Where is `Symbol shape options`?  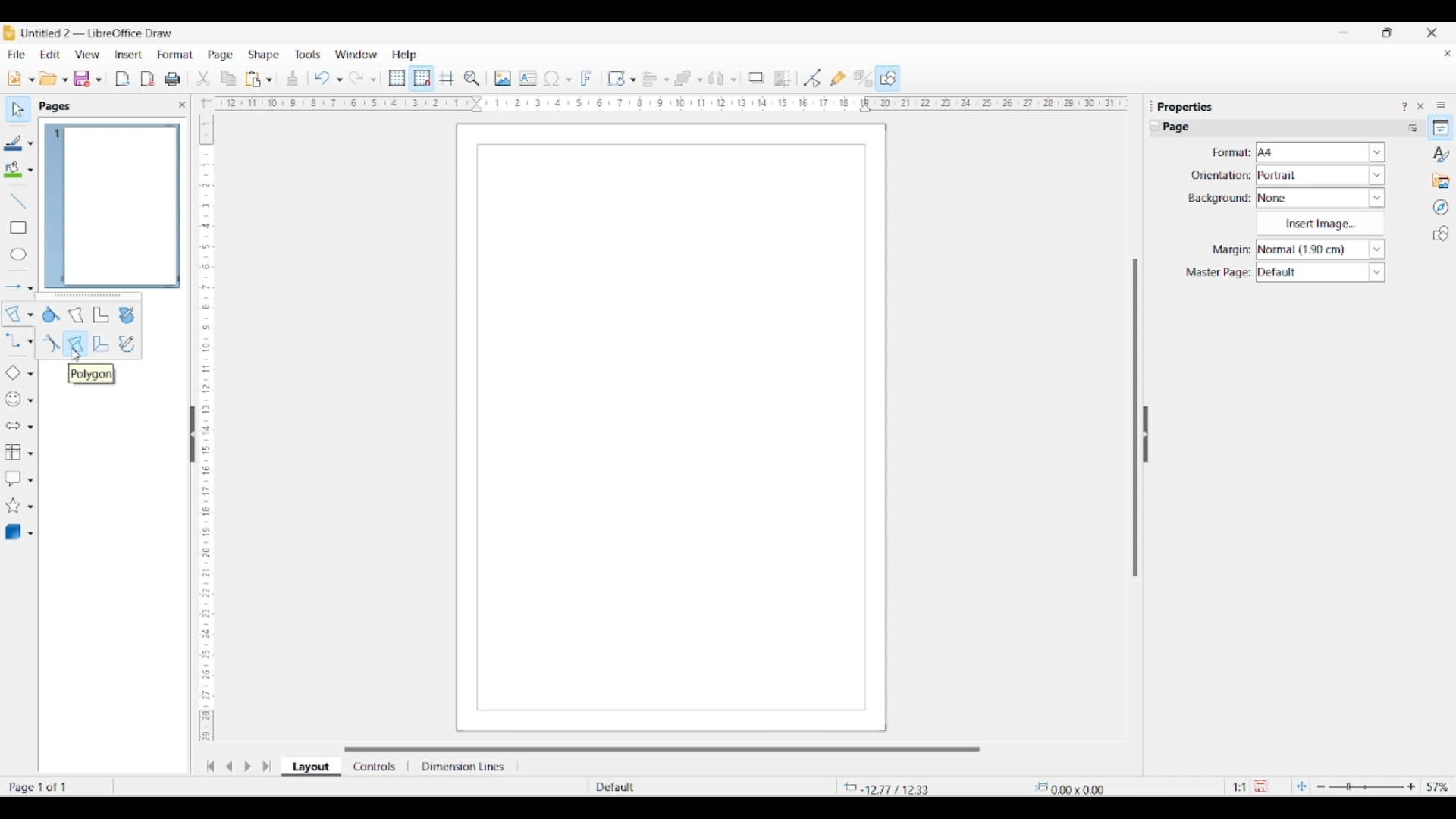 Symbol shape options is located at coordinates (30, 400).